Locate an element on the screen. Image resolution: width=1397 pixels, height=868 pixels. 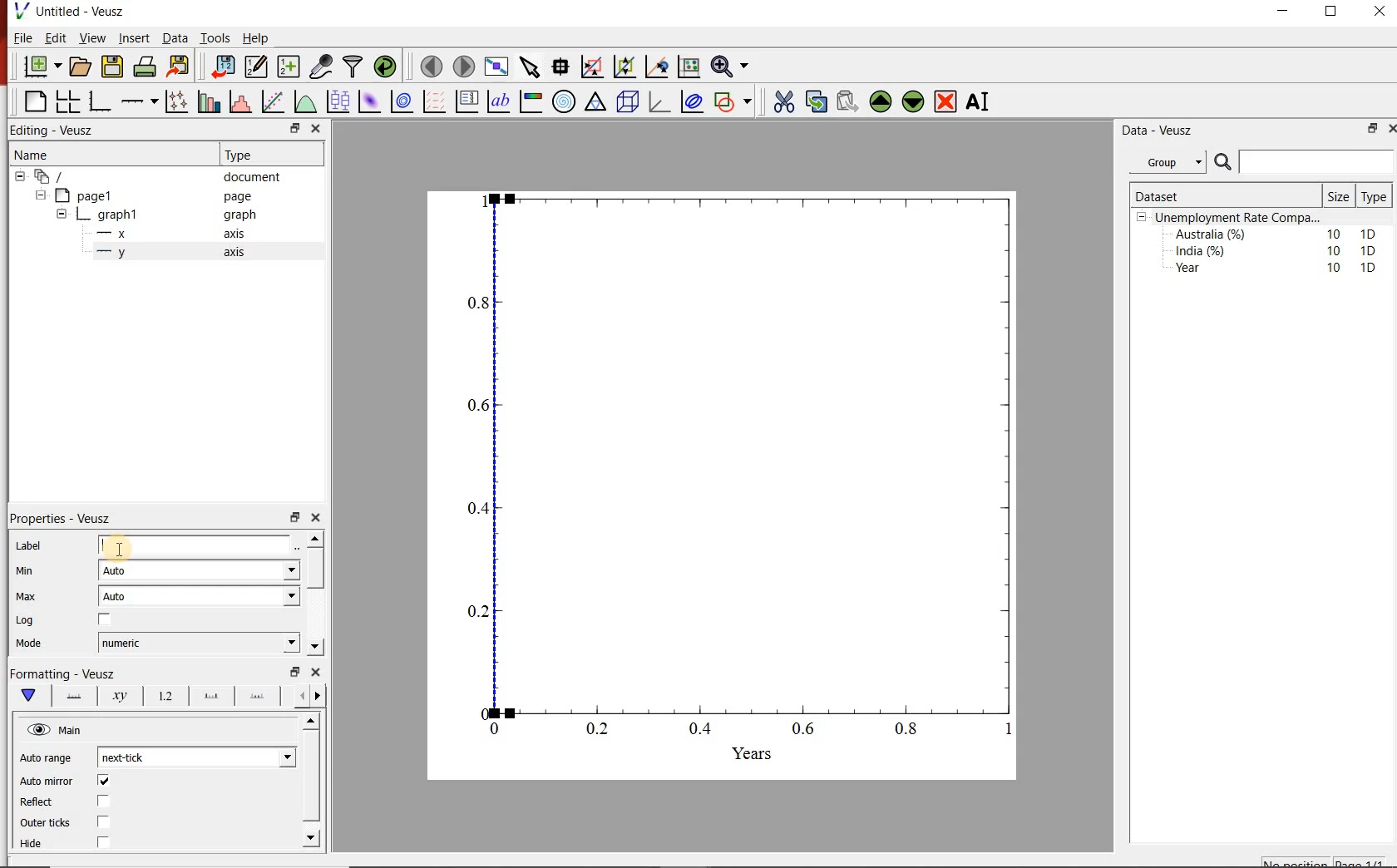
checkbox is located at coordinates (103, 842).